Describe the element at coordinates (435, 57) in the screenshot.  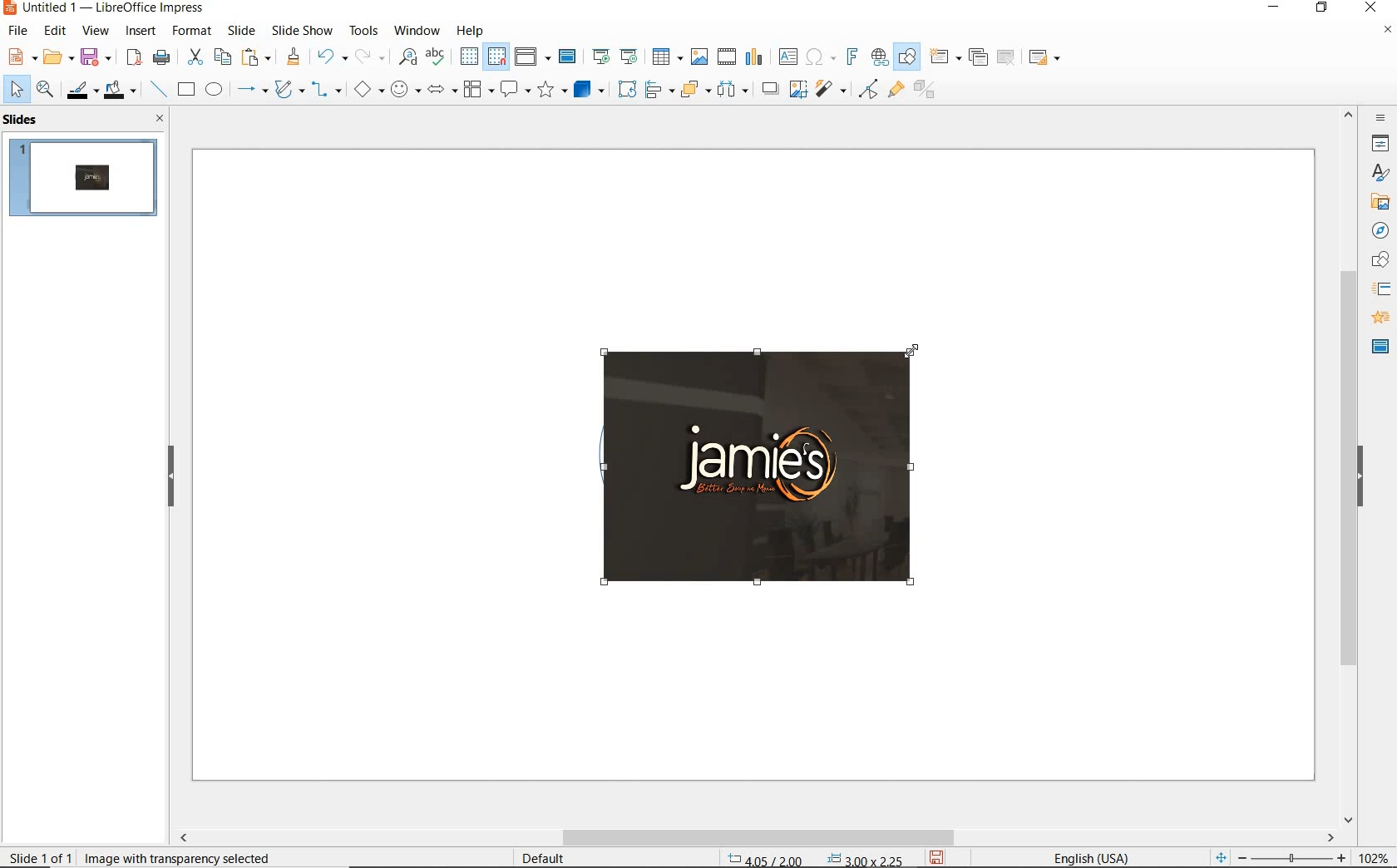
I see `spelling` at that location.